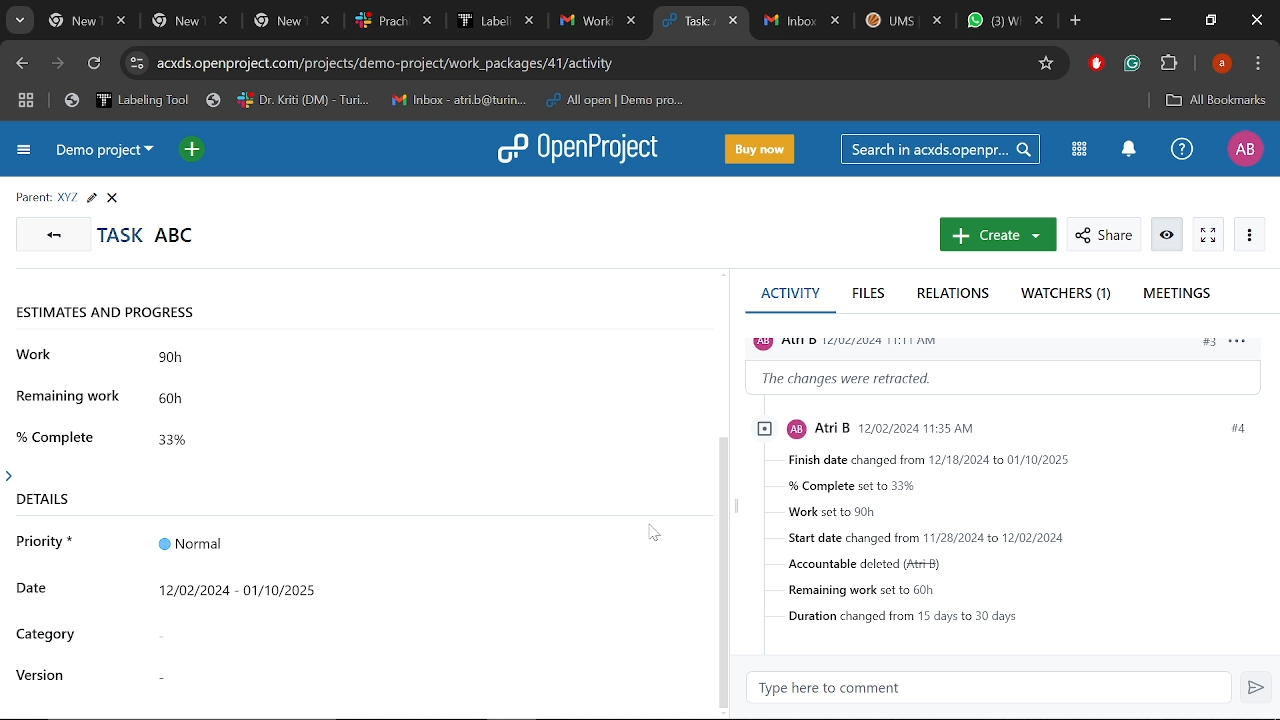 The width and height of the screenshot is (1280, 720). I want to click on Close current tab, so click(735, 23).